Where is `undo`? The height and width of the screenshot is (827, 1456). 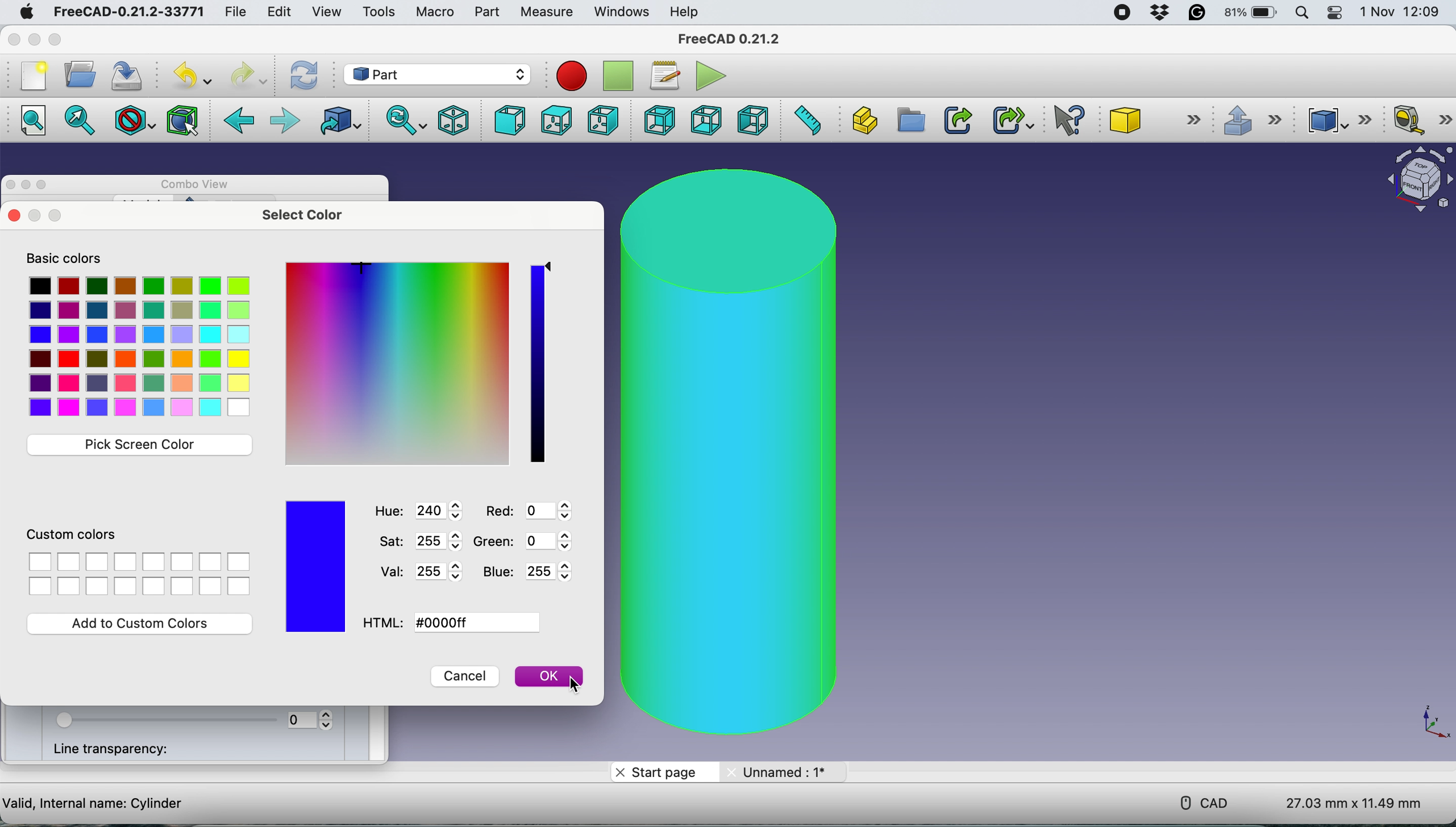 undo is located at coordinates (186, 76).